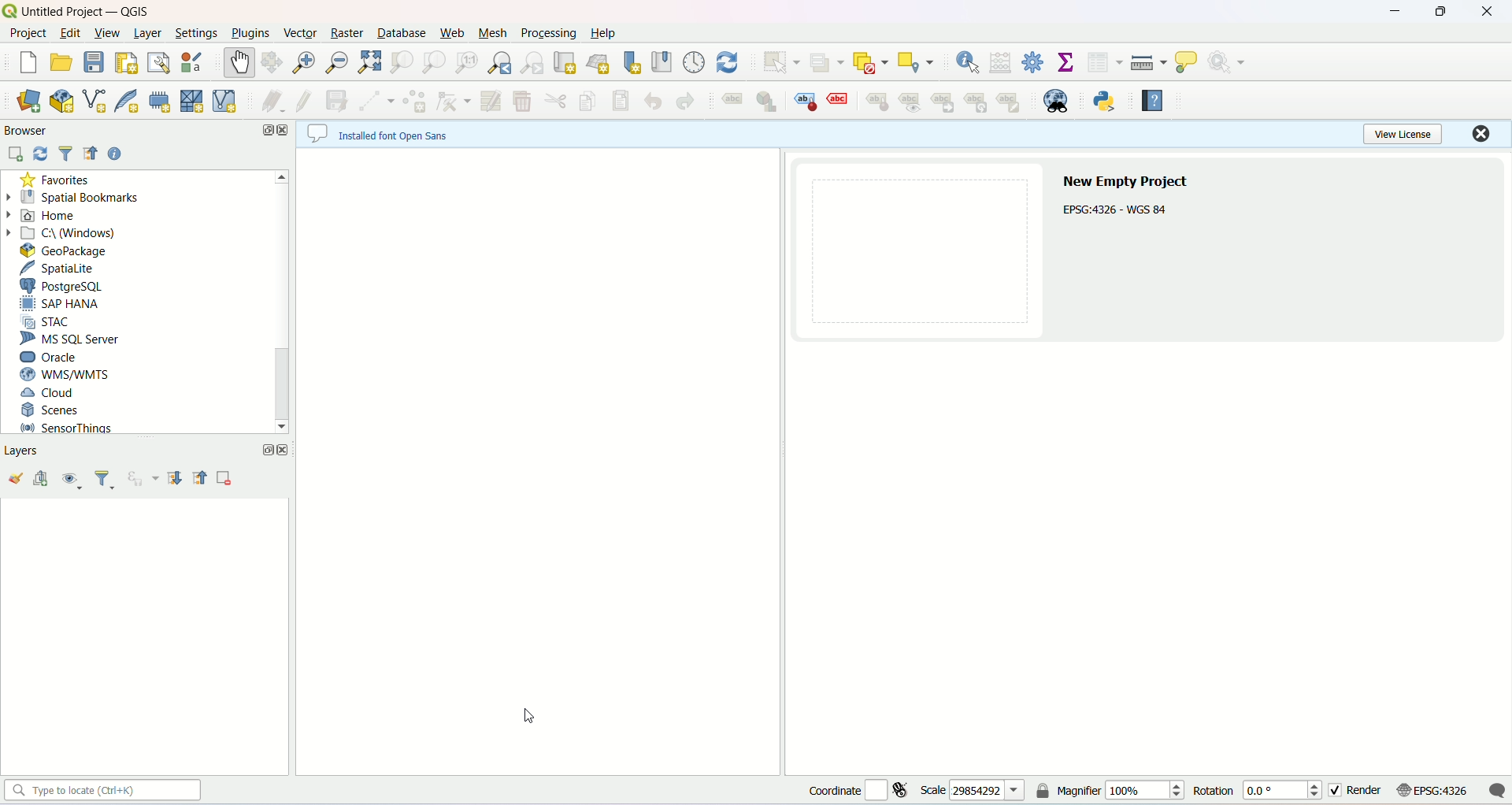 This screenshot has height=805, width=1512. Describe the element at coordinates (1392, 16) in the screenshot. I see `minimize` at that location.